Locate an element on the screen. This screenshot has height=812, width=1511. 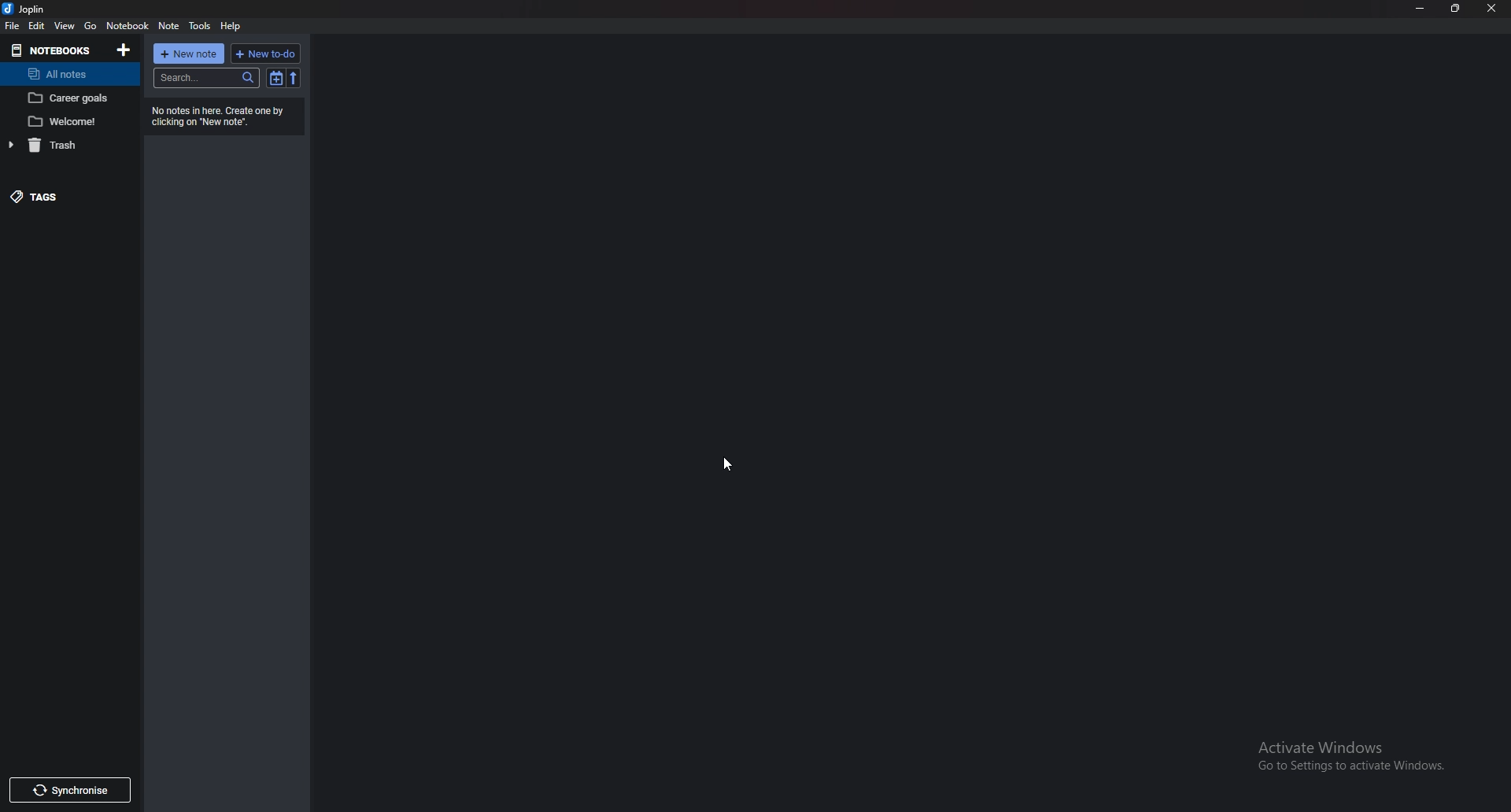
help is located at coordinates (231, 27).